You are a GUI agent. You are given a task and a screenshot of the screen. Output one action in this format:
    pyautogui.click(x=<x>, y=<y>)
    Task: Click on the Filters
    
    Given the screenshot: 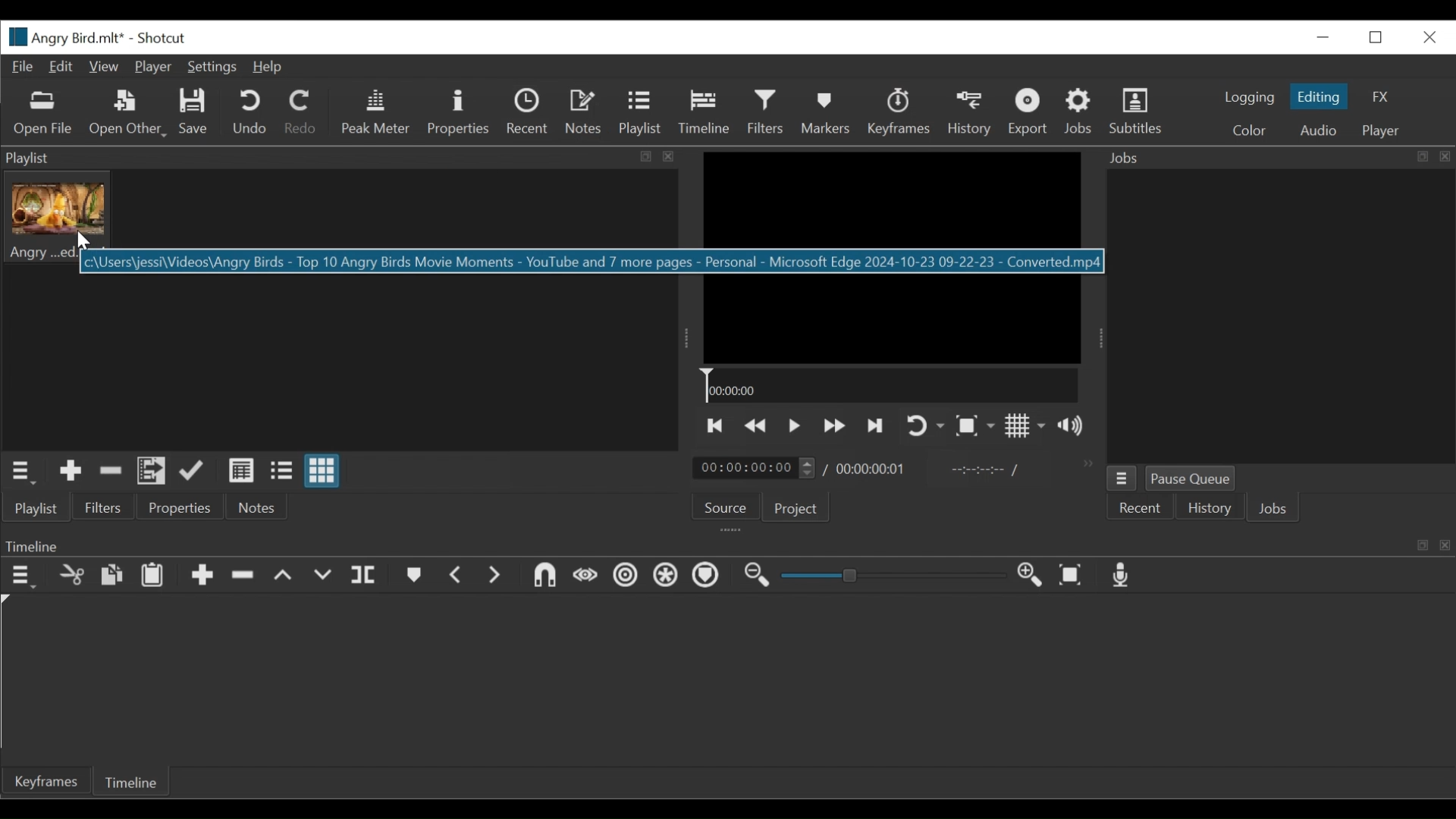 What is the action you would take?
    pyautogui.click(x=767, y=112)
    